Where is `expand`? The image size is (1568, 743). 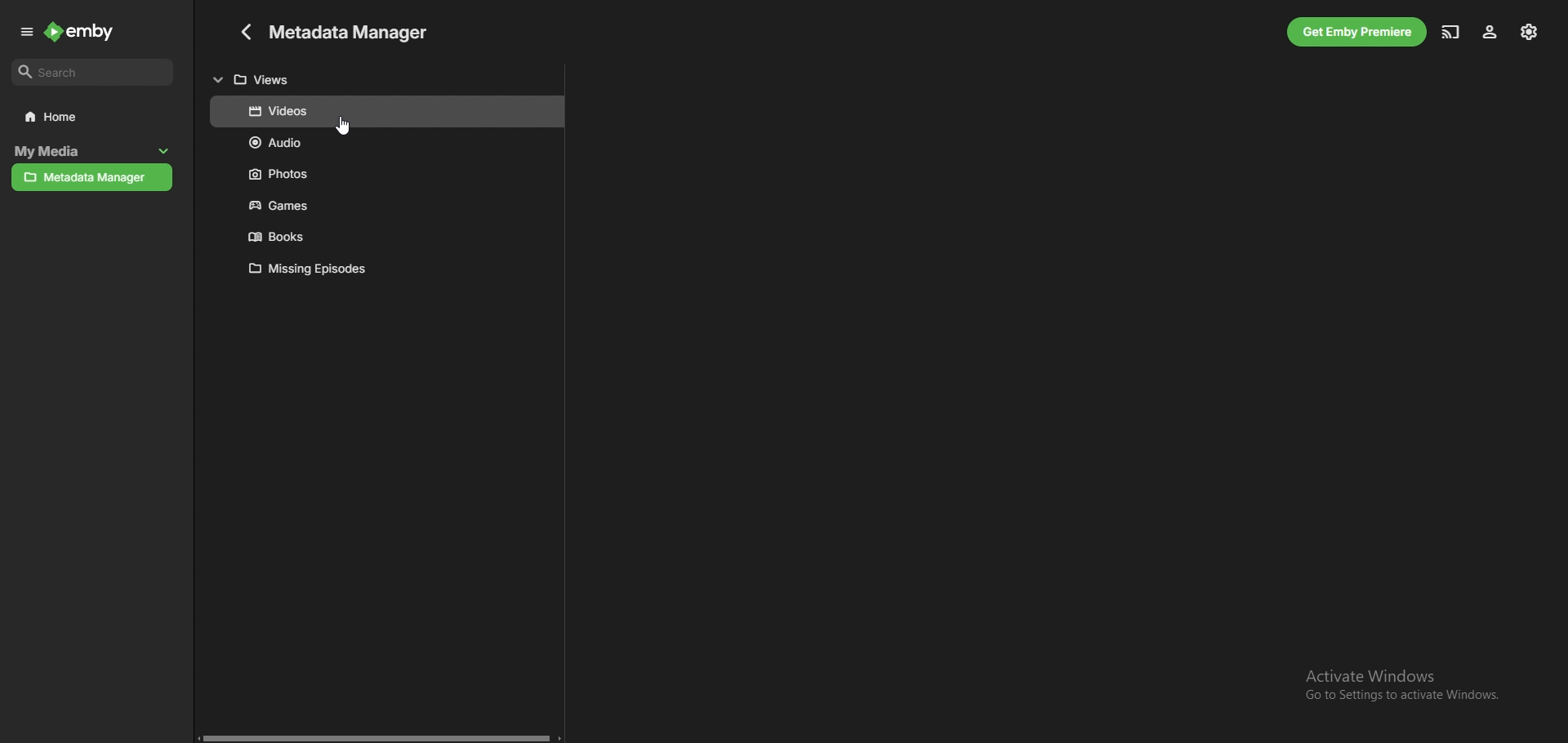 expand is located at coordinates (28, 33).